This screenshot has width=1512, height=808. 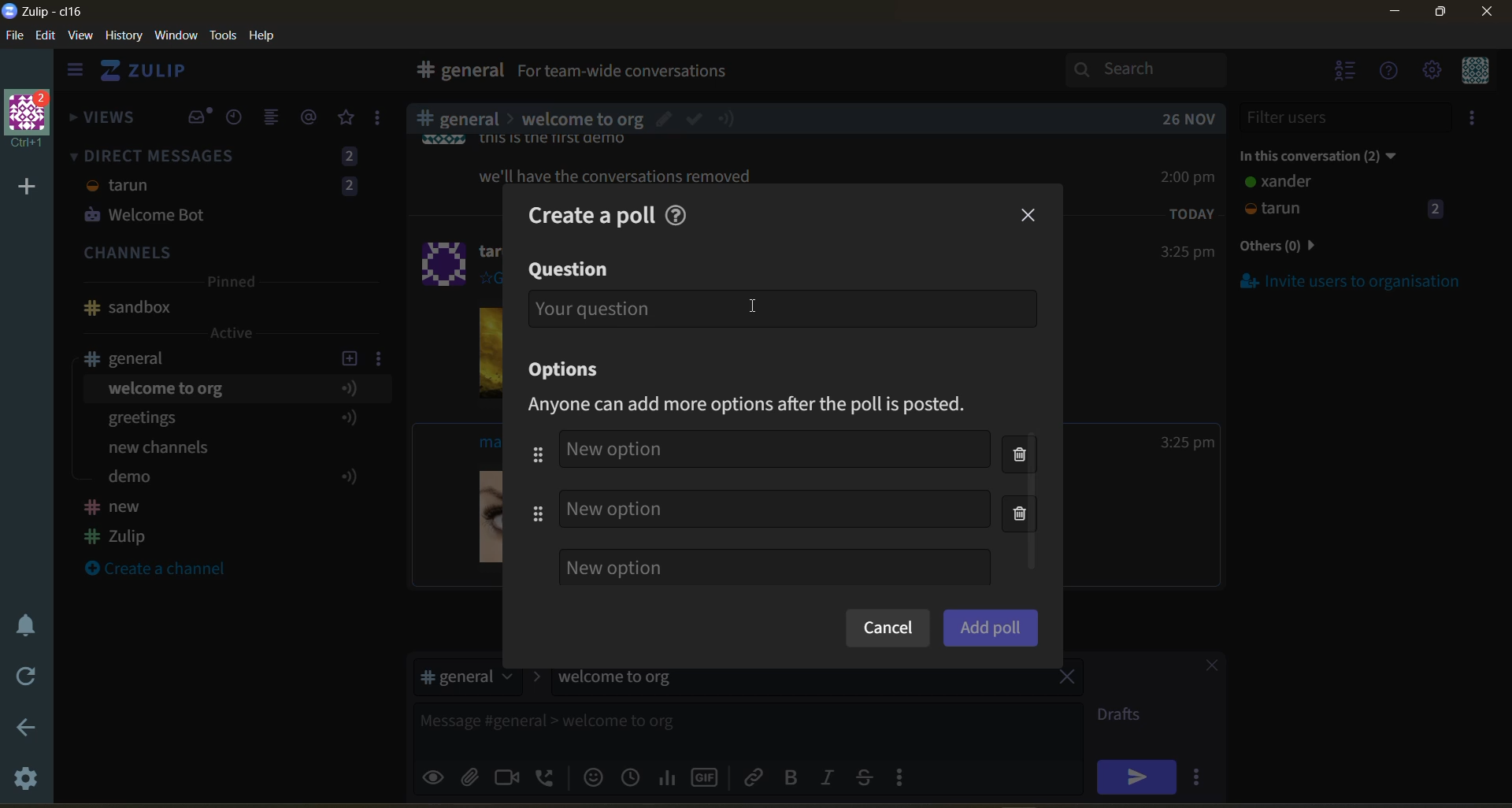 What do you see at coordinates (230, 284) in the screenshot?
I see `pinned` at bounding box center [230, 284].